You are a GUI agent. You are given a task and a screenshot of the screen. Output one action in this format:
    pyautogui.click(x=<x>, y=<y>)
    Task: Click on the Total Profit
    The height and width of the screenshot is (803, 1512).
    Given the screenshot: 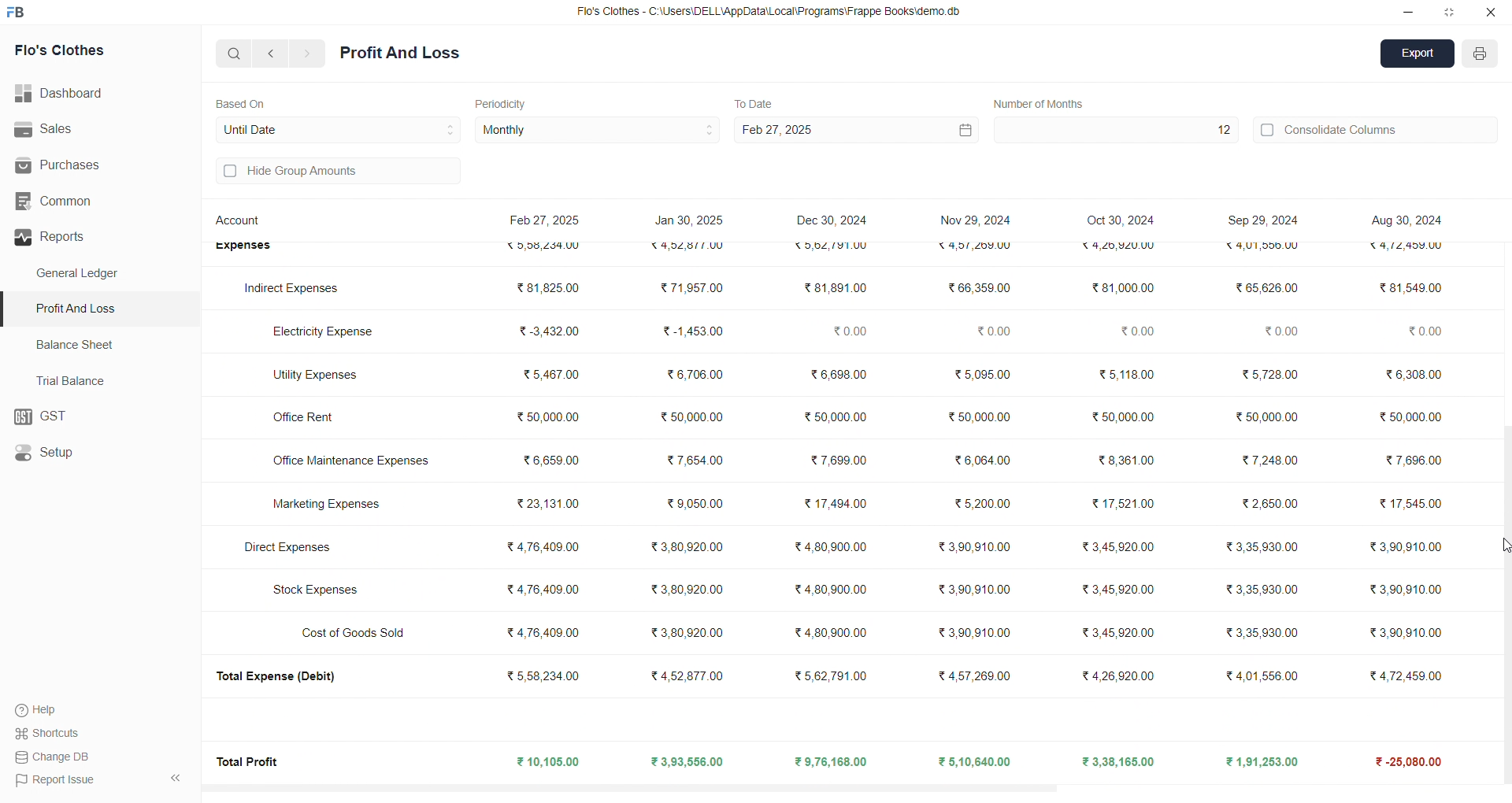 What is the action you would take?
    pyautogui.click(x=250, y=760)
    